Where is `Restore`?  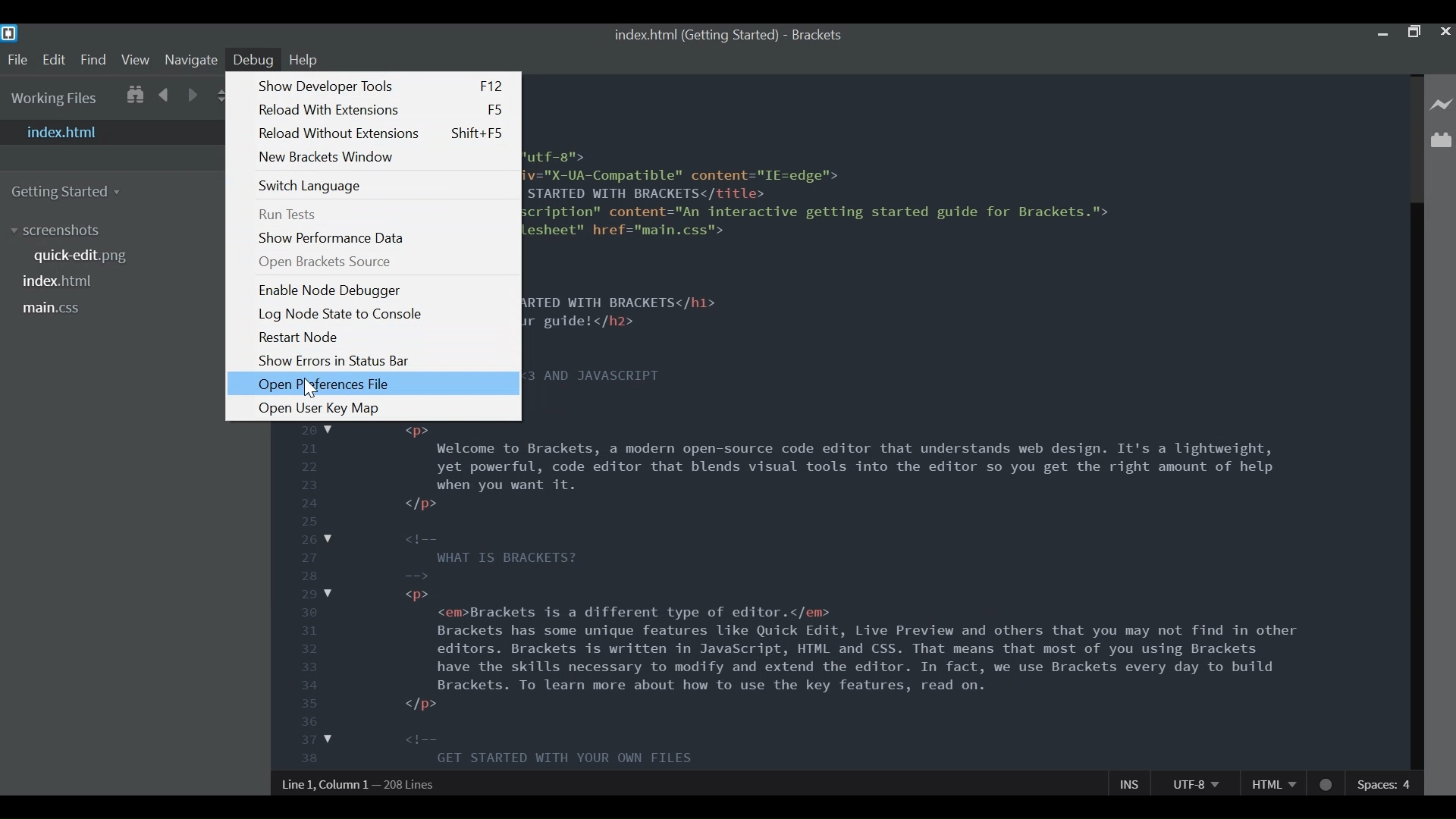 Restore is located at coordinates (1416, 34).